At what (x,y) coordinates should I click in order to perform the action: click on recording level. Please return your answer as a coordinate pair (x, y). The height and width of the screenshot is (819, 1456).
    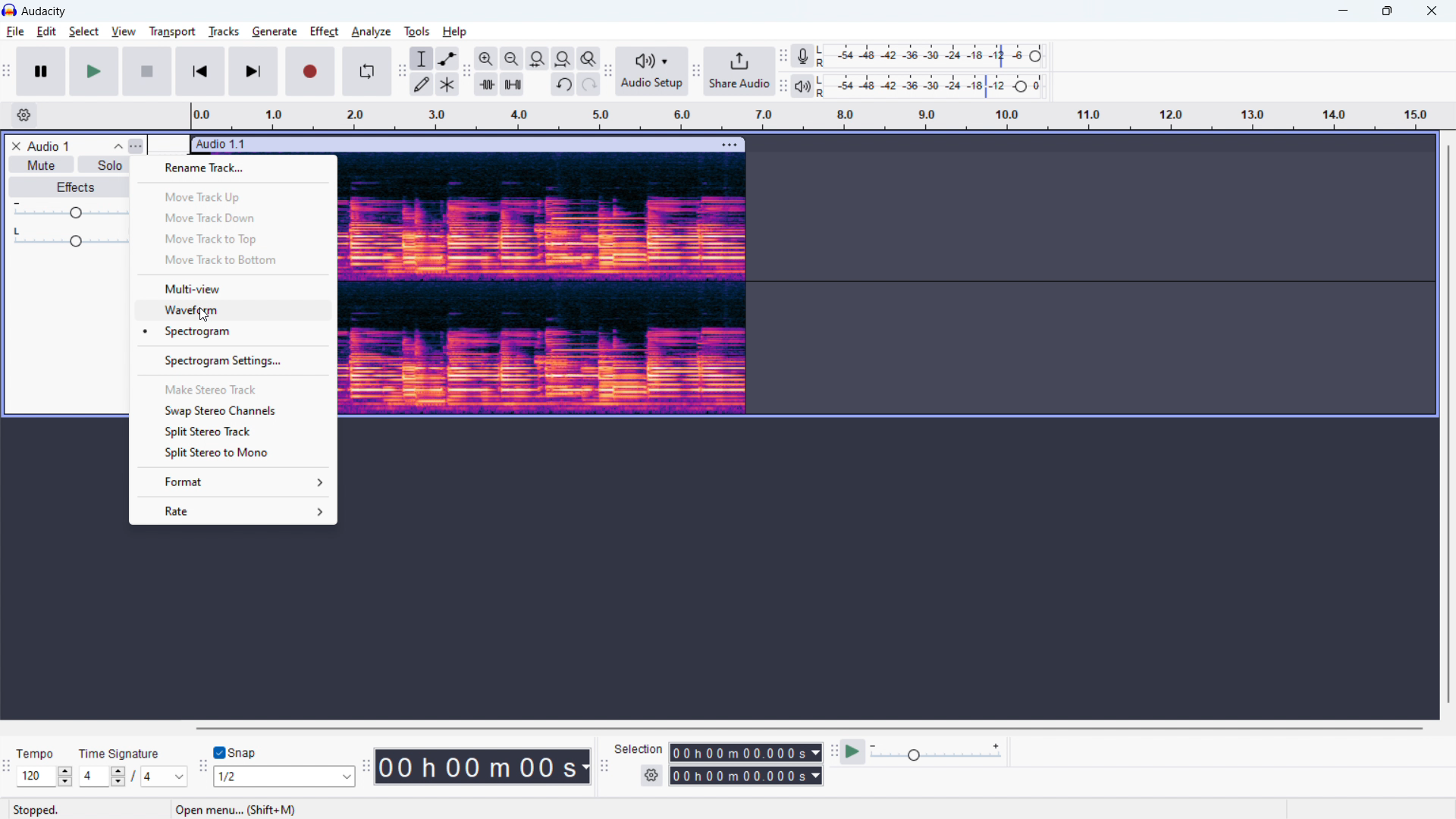
    Looking at the image, I should click on (935, 56).